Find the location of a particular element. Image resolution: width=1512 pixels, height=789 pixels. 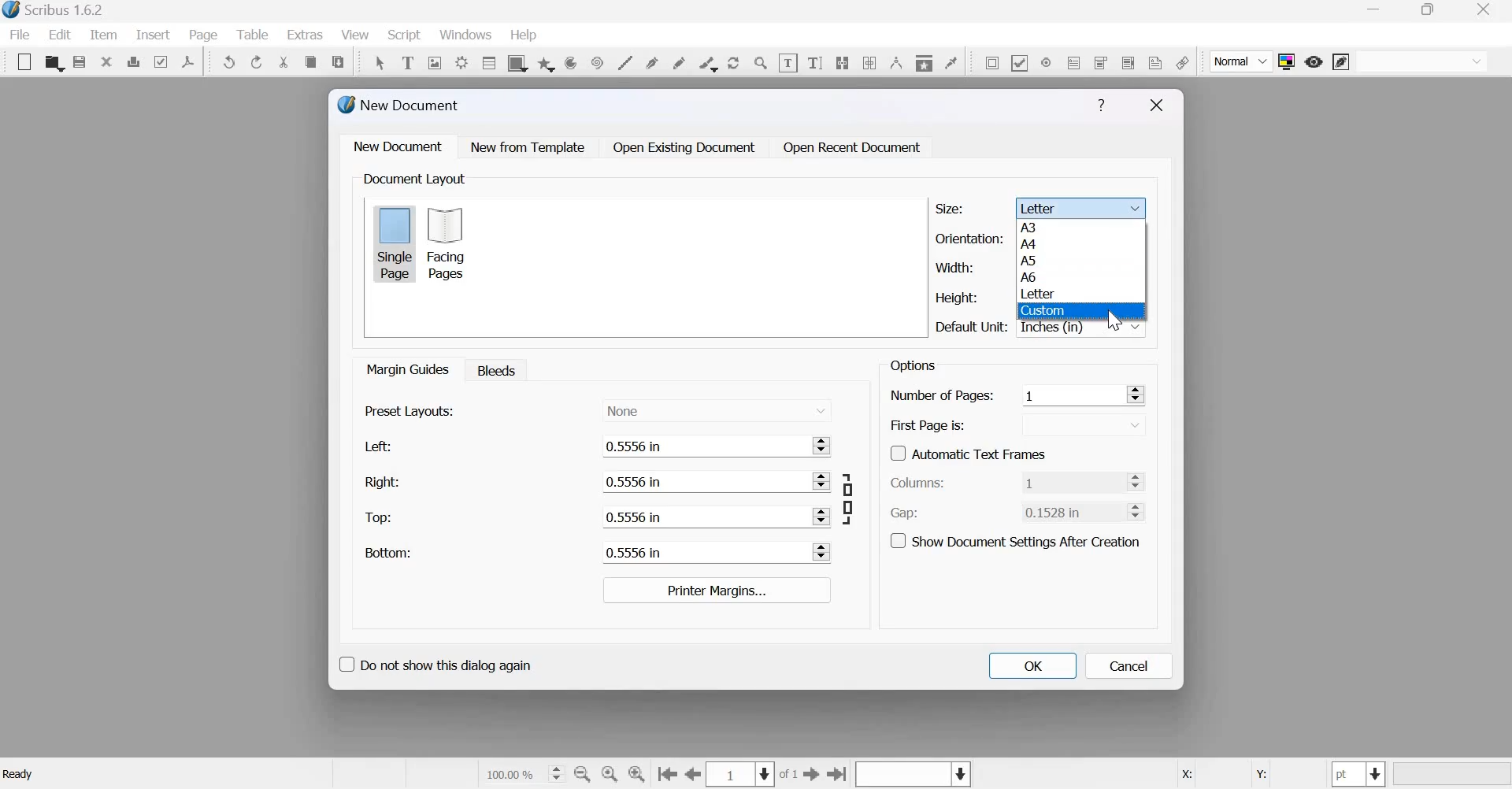

Select the current page is located at coordinates (742, 774).